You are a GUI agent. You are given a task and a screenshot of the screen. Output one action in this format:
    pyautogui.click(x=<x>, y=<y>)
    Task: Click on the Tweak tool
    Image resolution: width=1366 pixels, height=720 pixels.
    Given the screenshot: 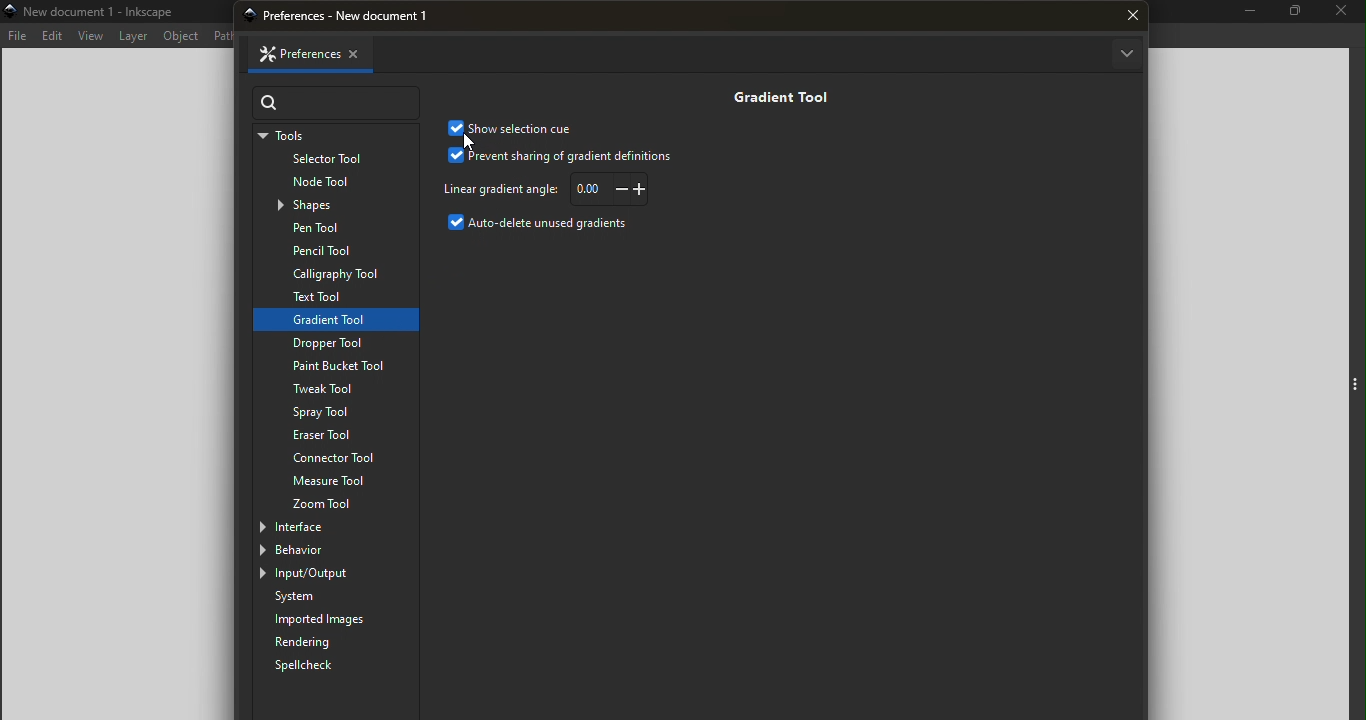 What is the action you would take?
    pyautogui.click(x=331, y=390)
    